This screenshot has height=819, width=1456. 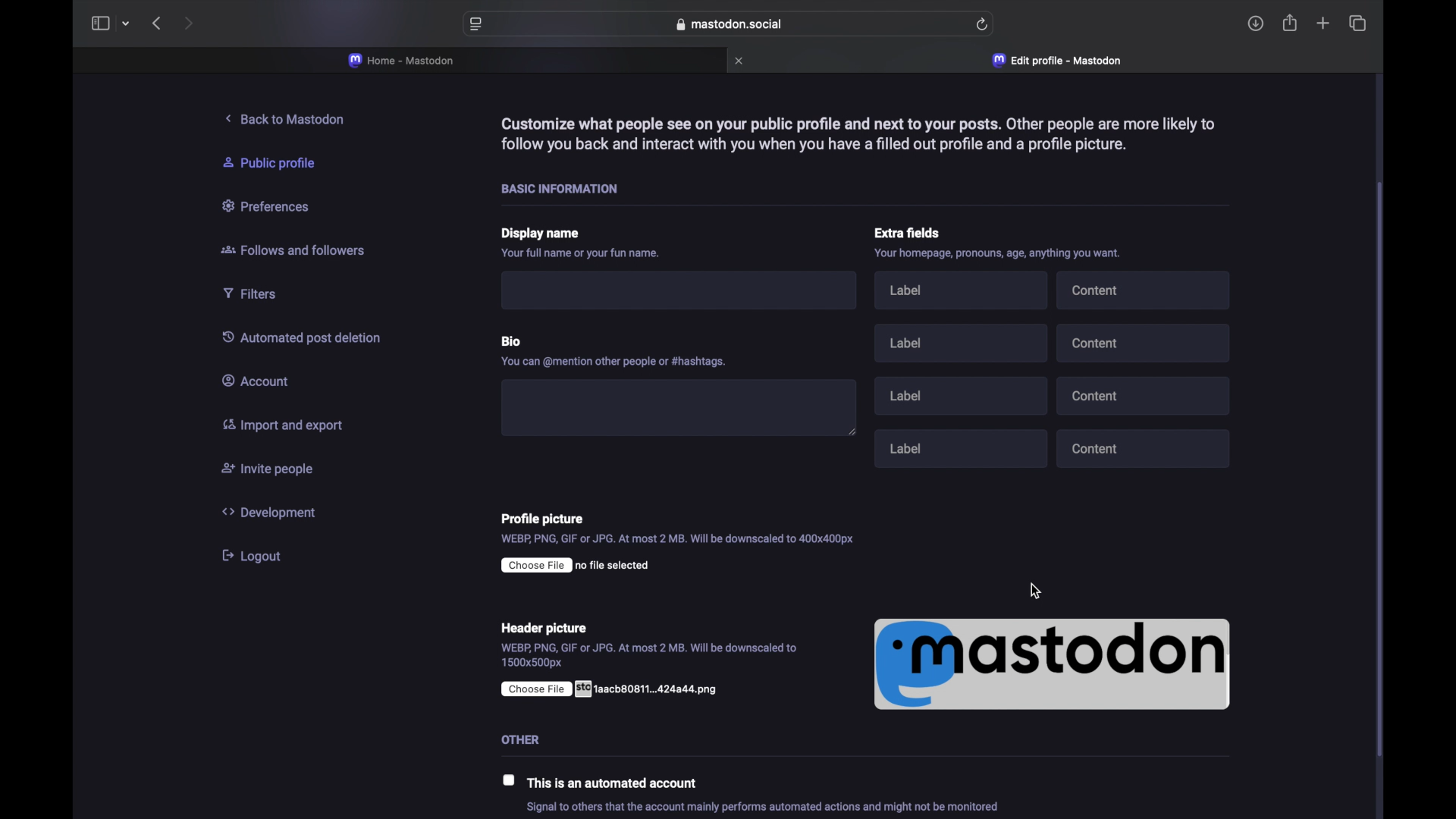 I want to click on next, so click(x=188, y=23).